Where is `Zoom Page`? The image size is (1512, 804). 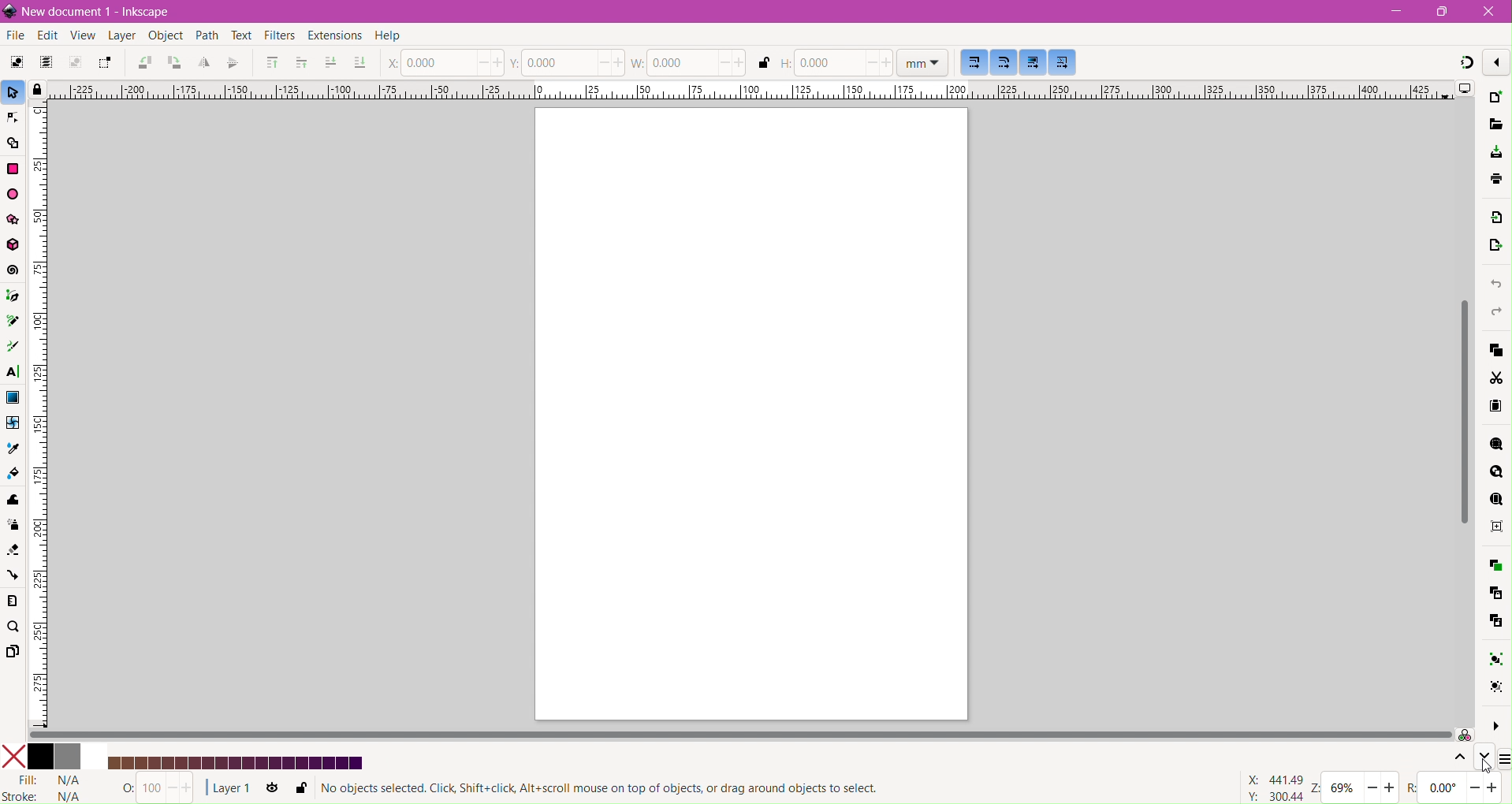 Zoom Page is located at coordinates (1495, 500).